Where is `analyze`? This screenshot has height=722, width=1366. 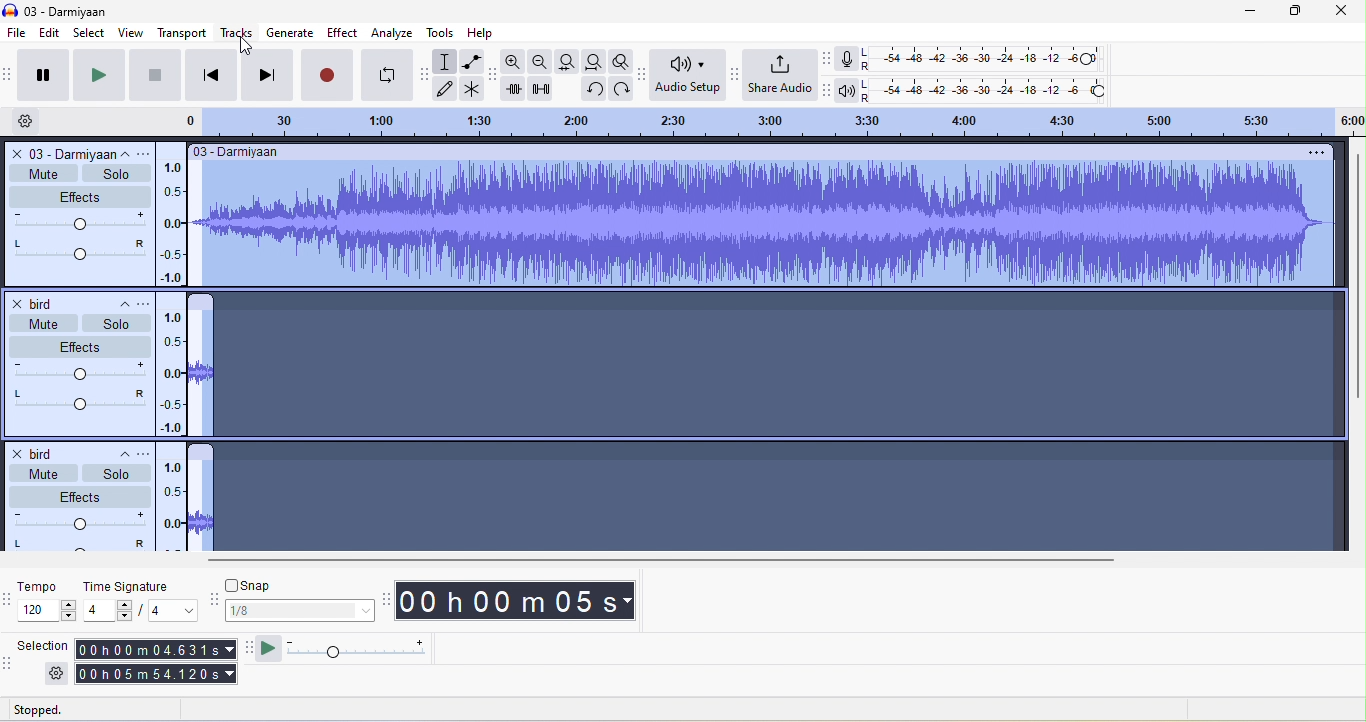 analyze is located at coordinates (393, 34).